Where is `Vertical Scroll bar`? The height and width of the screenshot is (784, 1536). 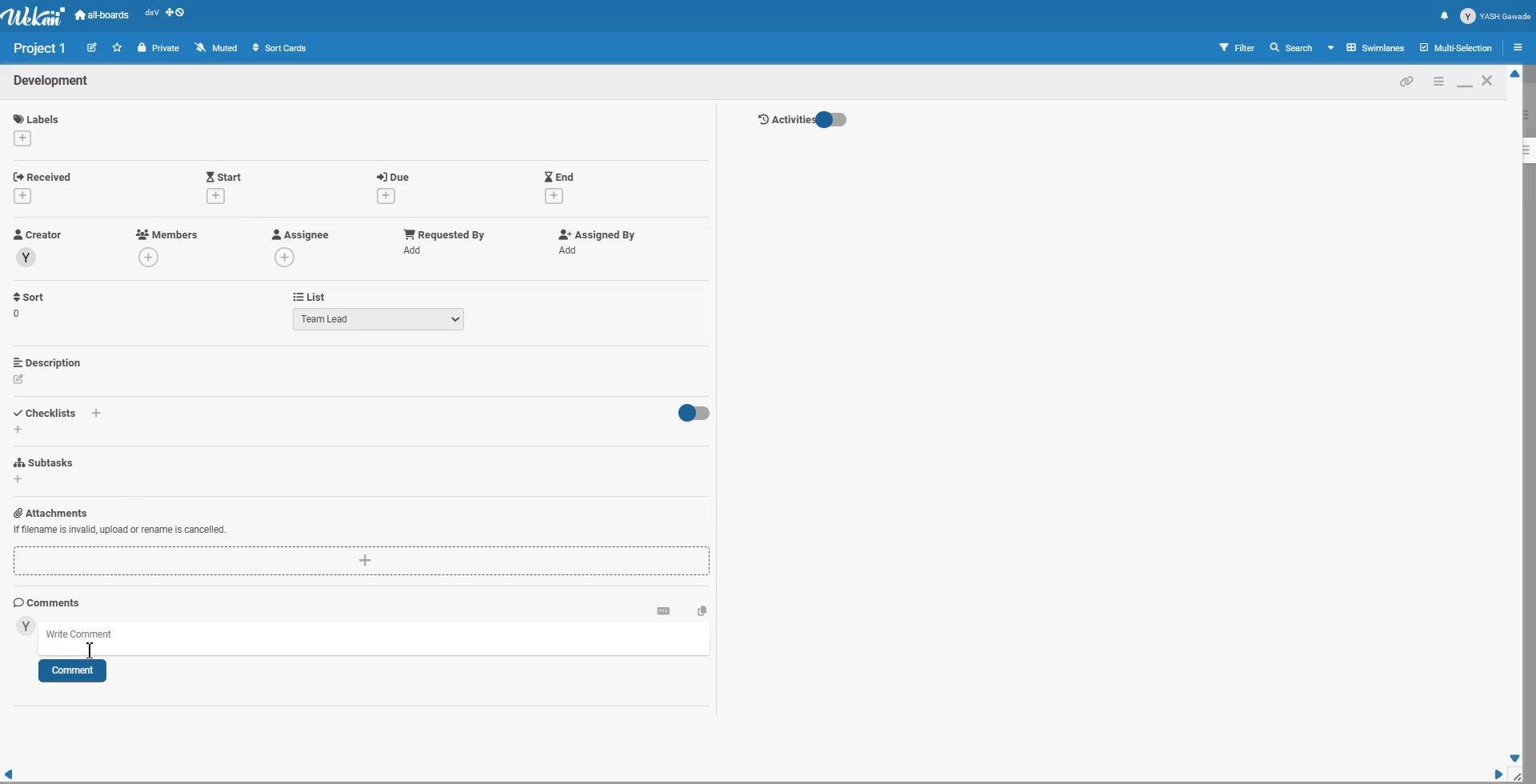 Vertical Scroll bar is located at coordinates (1516, 416).